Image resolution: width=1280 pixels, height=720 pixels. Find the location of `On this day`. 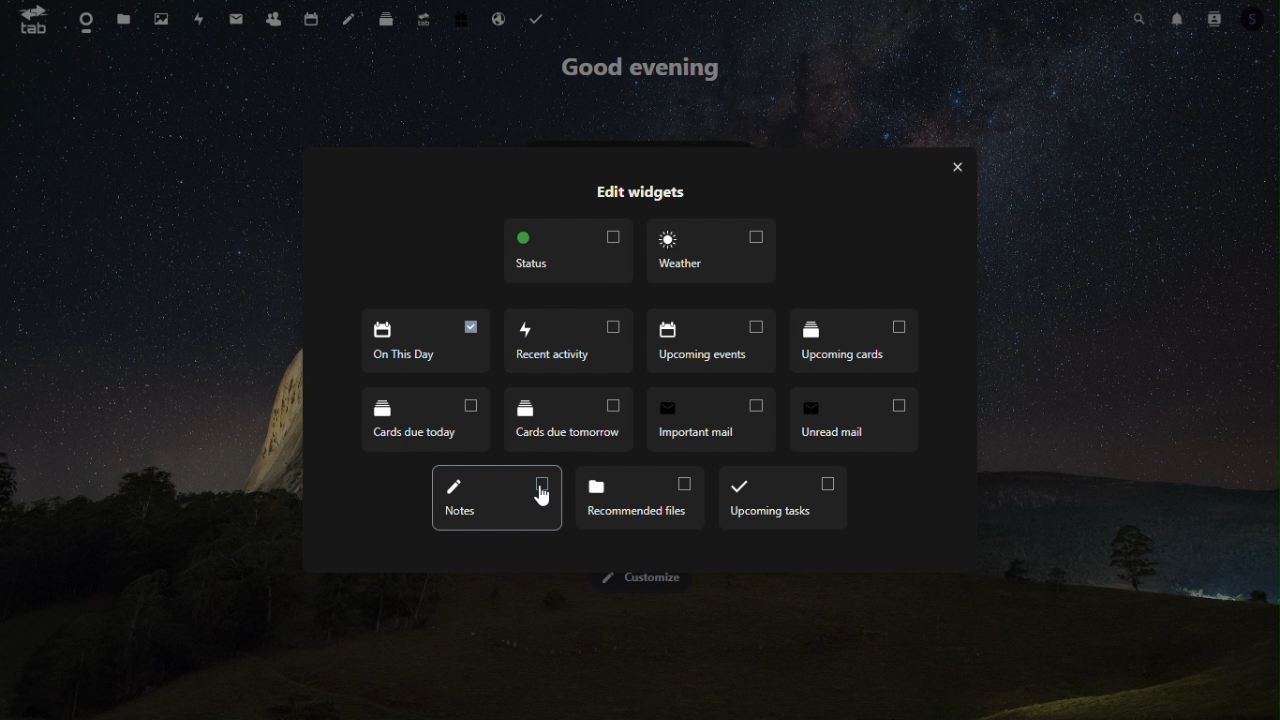

On this day is located at coordinates (497, 497).